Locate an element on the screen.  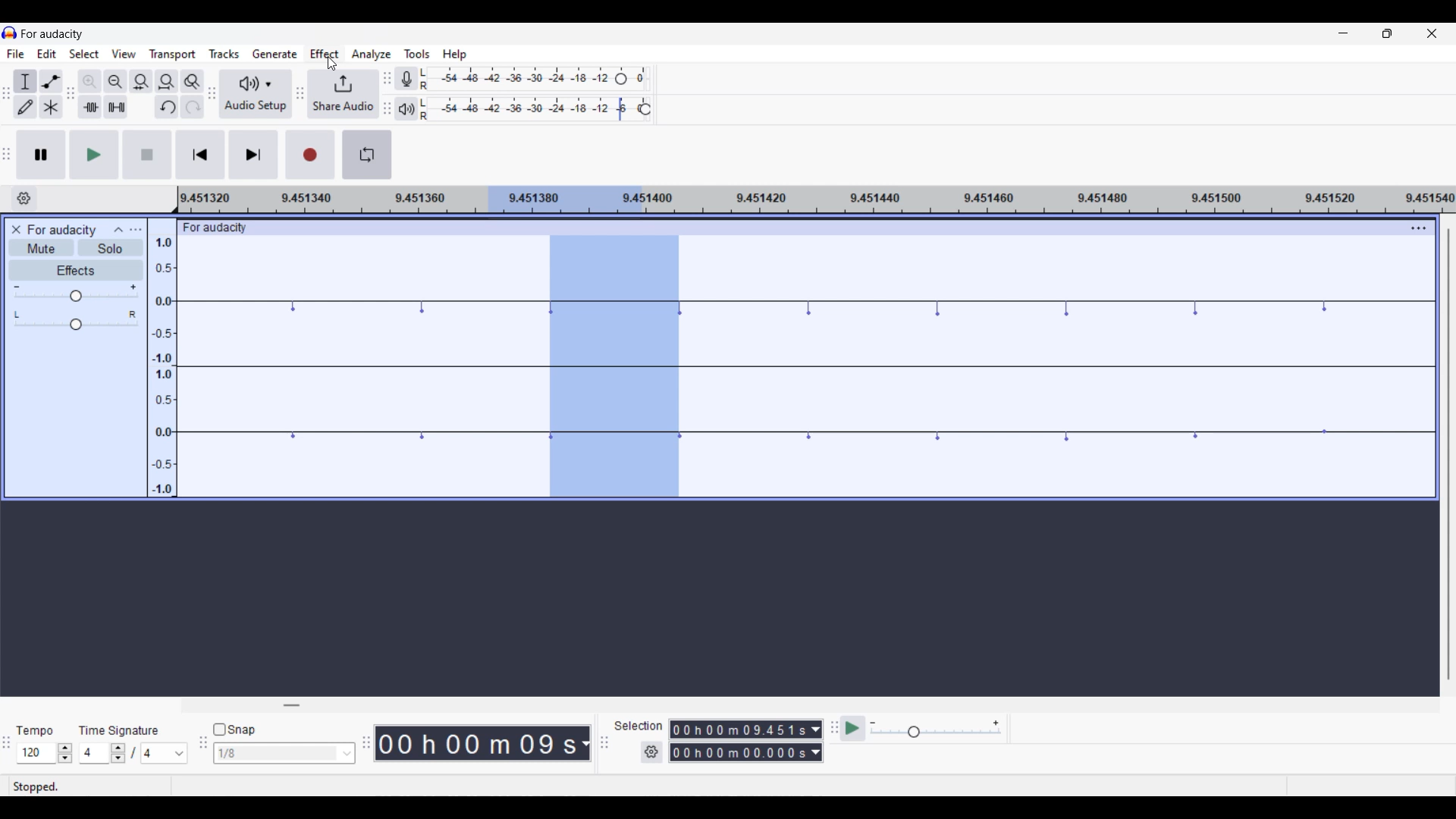
Draw tool is located at coordinates (26, 107).